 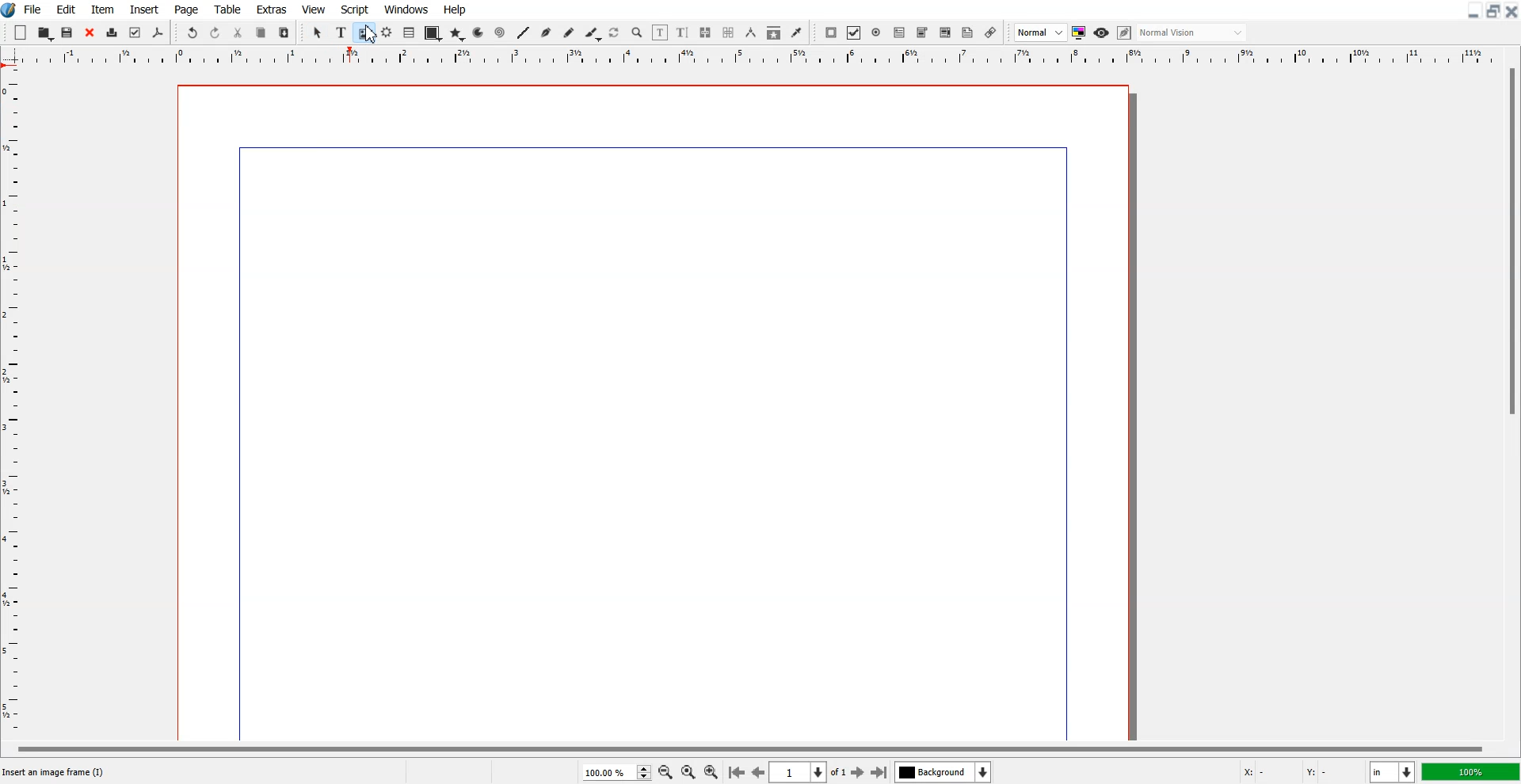 I want to click on Page, so click(x=188, y=9).